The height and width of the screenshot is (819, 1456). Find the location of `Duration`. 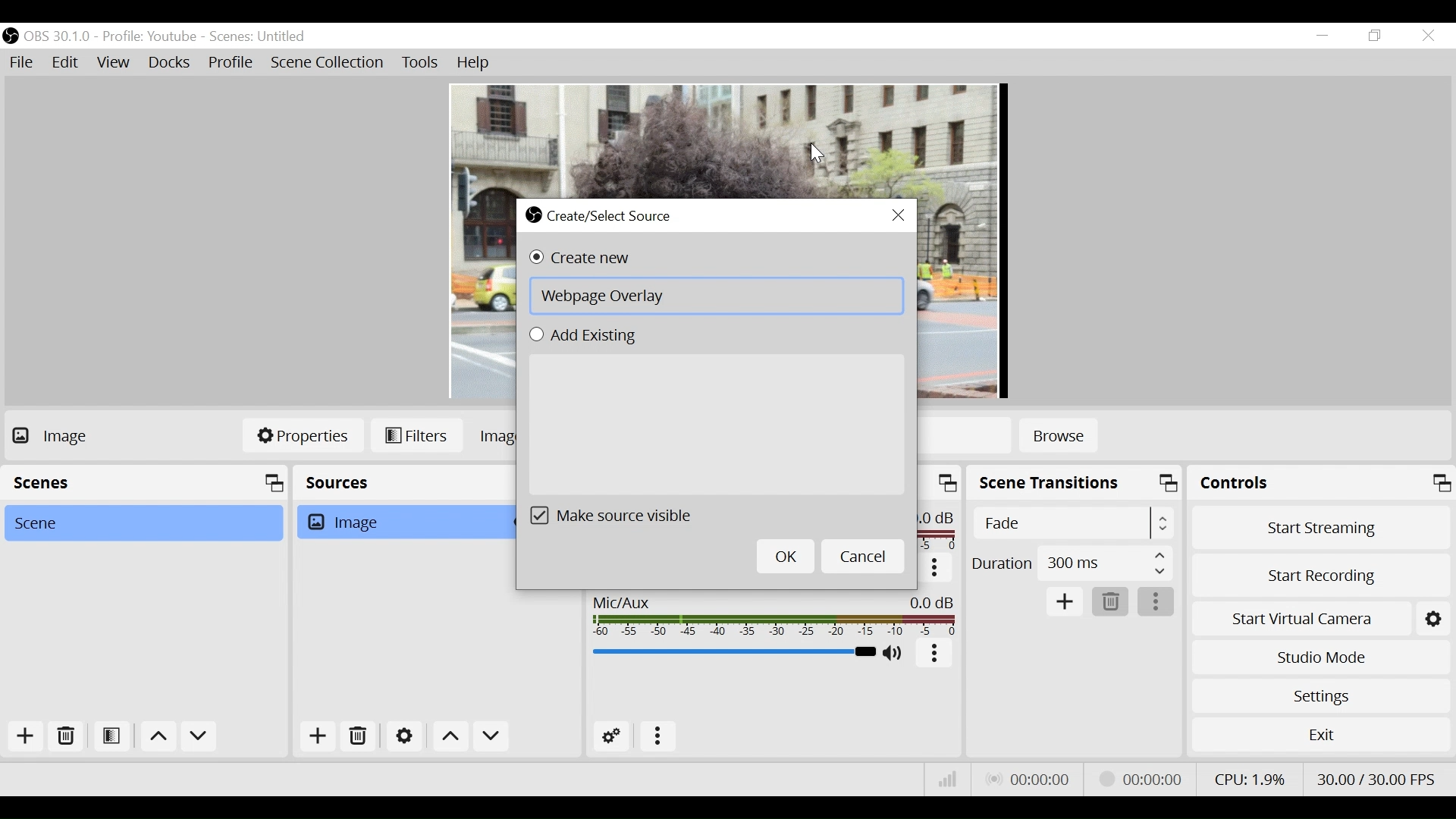

Duration is located at coordinates (1072, 565).